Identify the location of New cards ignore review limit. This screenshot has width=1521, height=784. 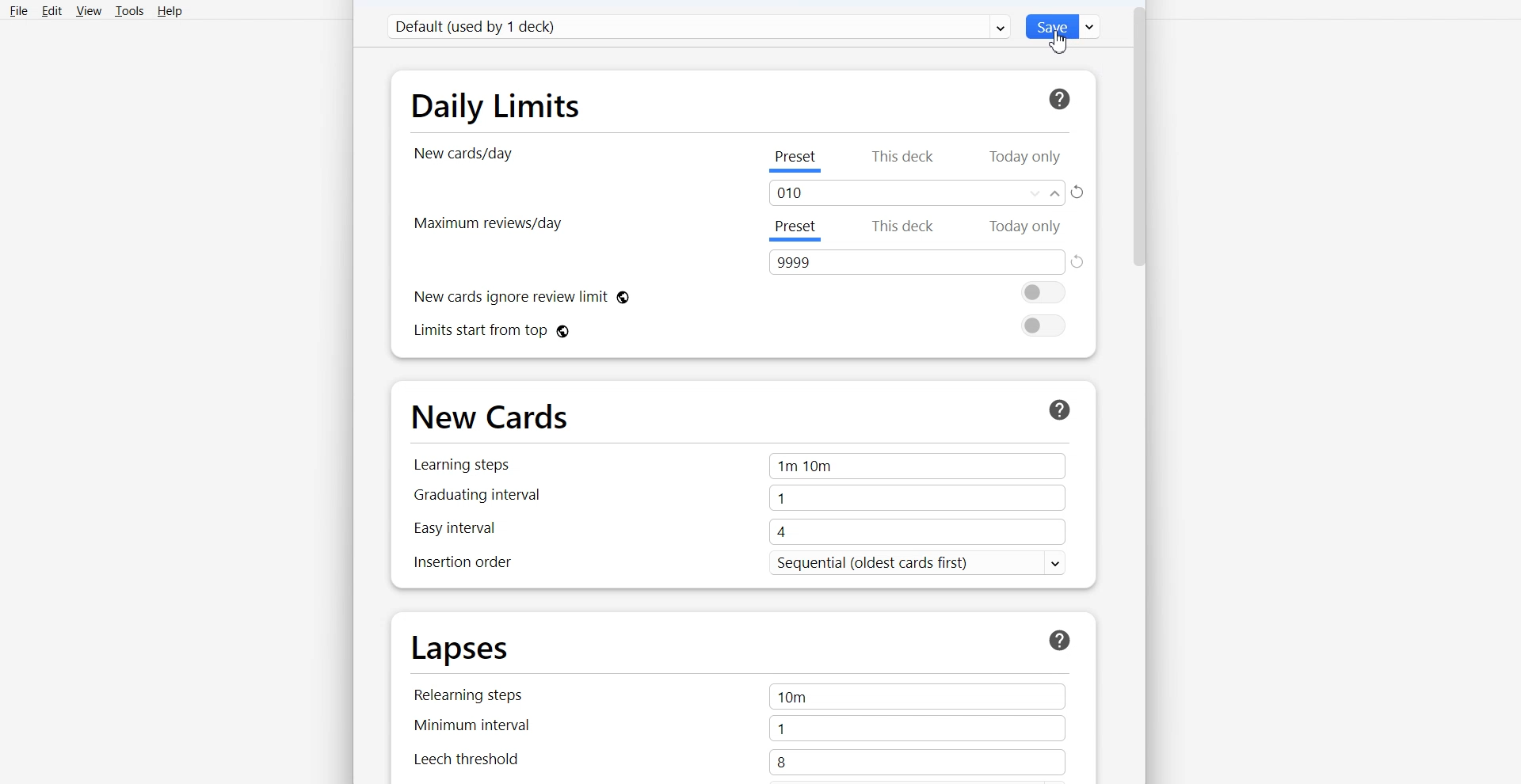
(742, 292).